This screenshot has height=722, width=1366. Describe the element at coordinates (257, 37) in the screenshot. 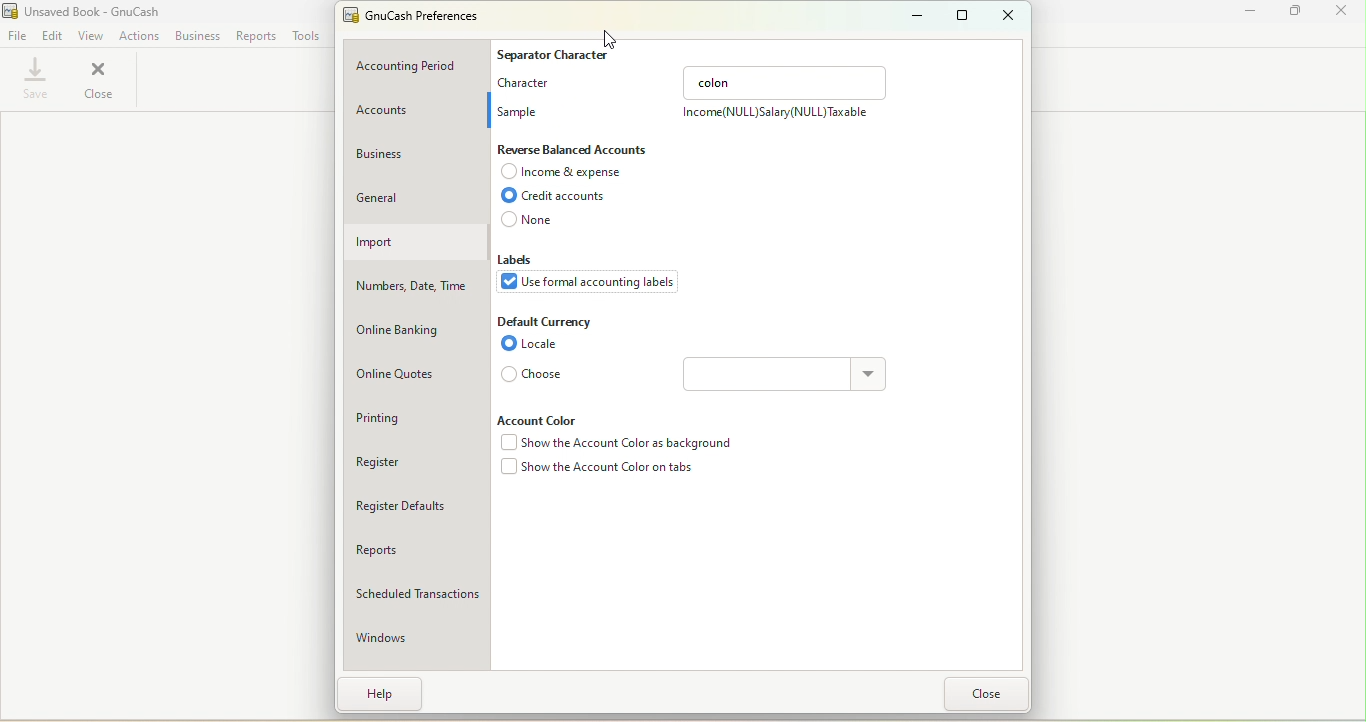

I see `Reports` at that location.